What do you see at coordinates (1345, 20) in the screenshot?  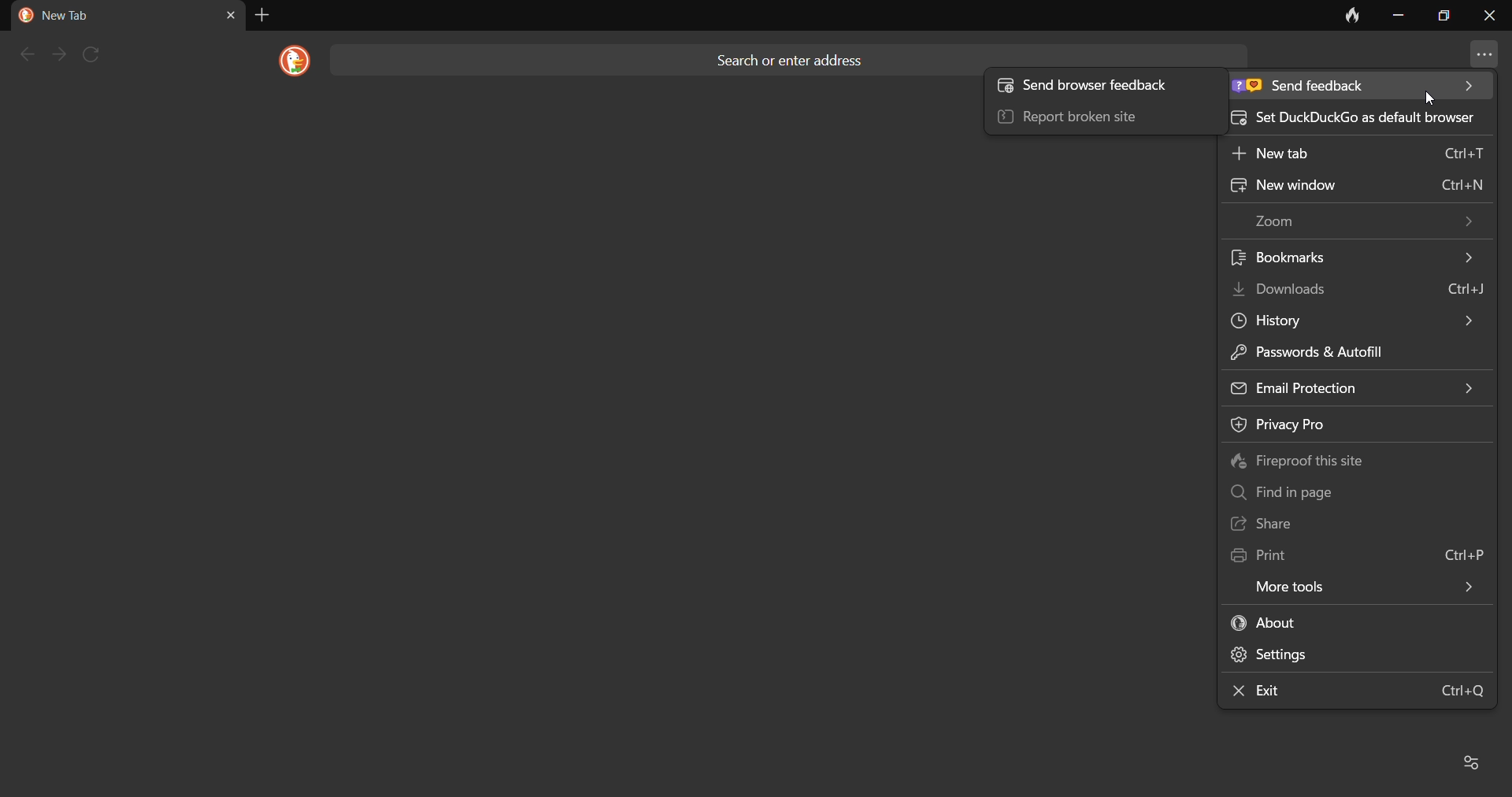 I see `clear data` at bounding box center [1345, 20].